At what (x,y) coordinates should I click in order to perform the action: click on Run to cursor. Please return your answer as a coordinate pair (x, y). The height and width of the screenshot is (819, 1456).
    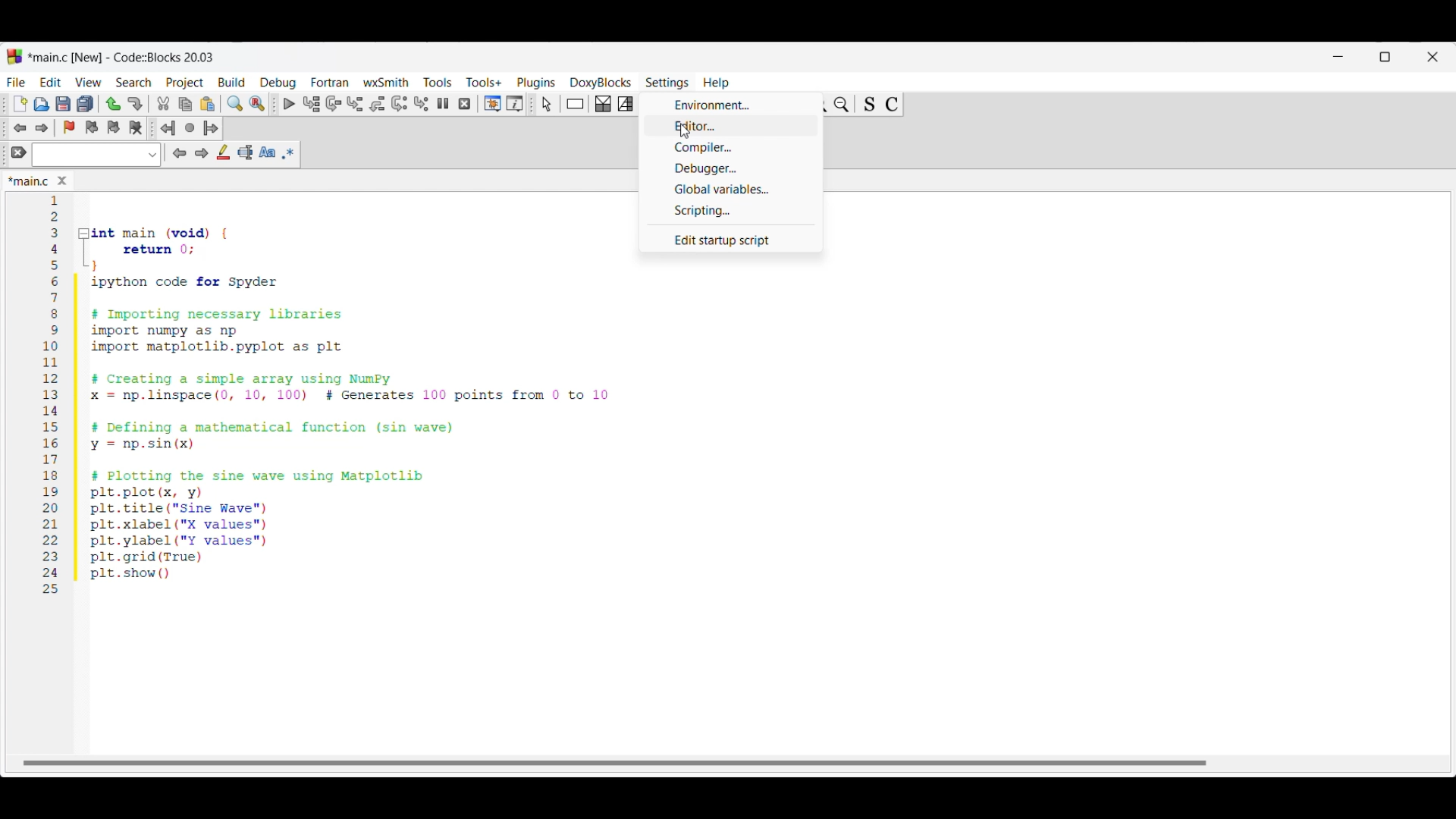
    Looking at the image, I should click on (312, 103).